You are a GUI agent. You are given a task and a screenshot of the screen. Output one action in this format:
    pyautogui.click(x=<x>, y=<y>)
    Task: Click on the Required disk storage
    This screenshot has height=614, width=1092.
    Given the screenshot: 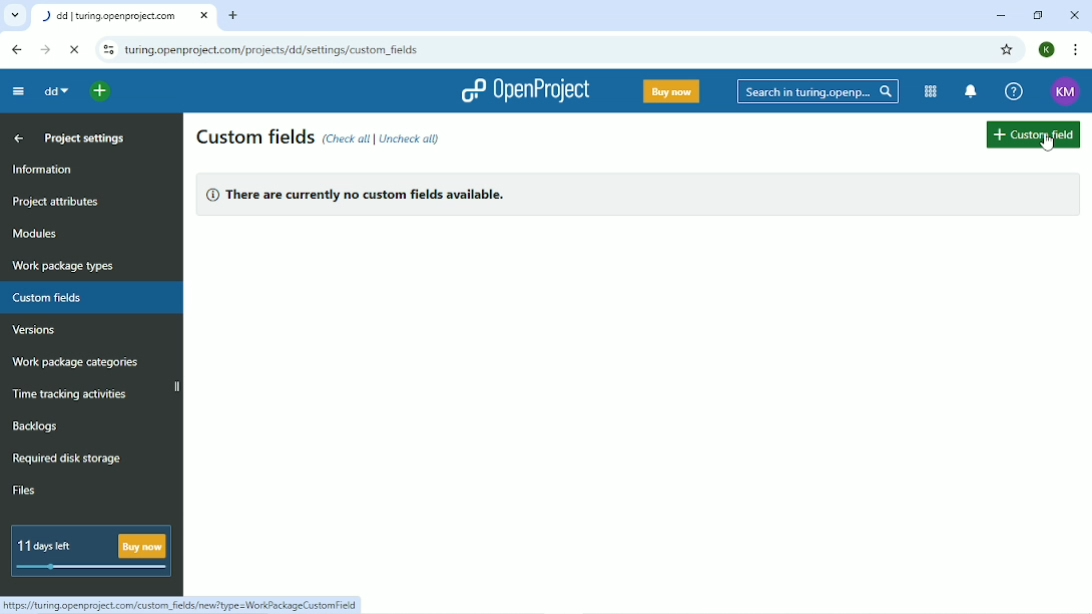 What is the action you would take?
    pyautogui.click(x=68, y=458)
    